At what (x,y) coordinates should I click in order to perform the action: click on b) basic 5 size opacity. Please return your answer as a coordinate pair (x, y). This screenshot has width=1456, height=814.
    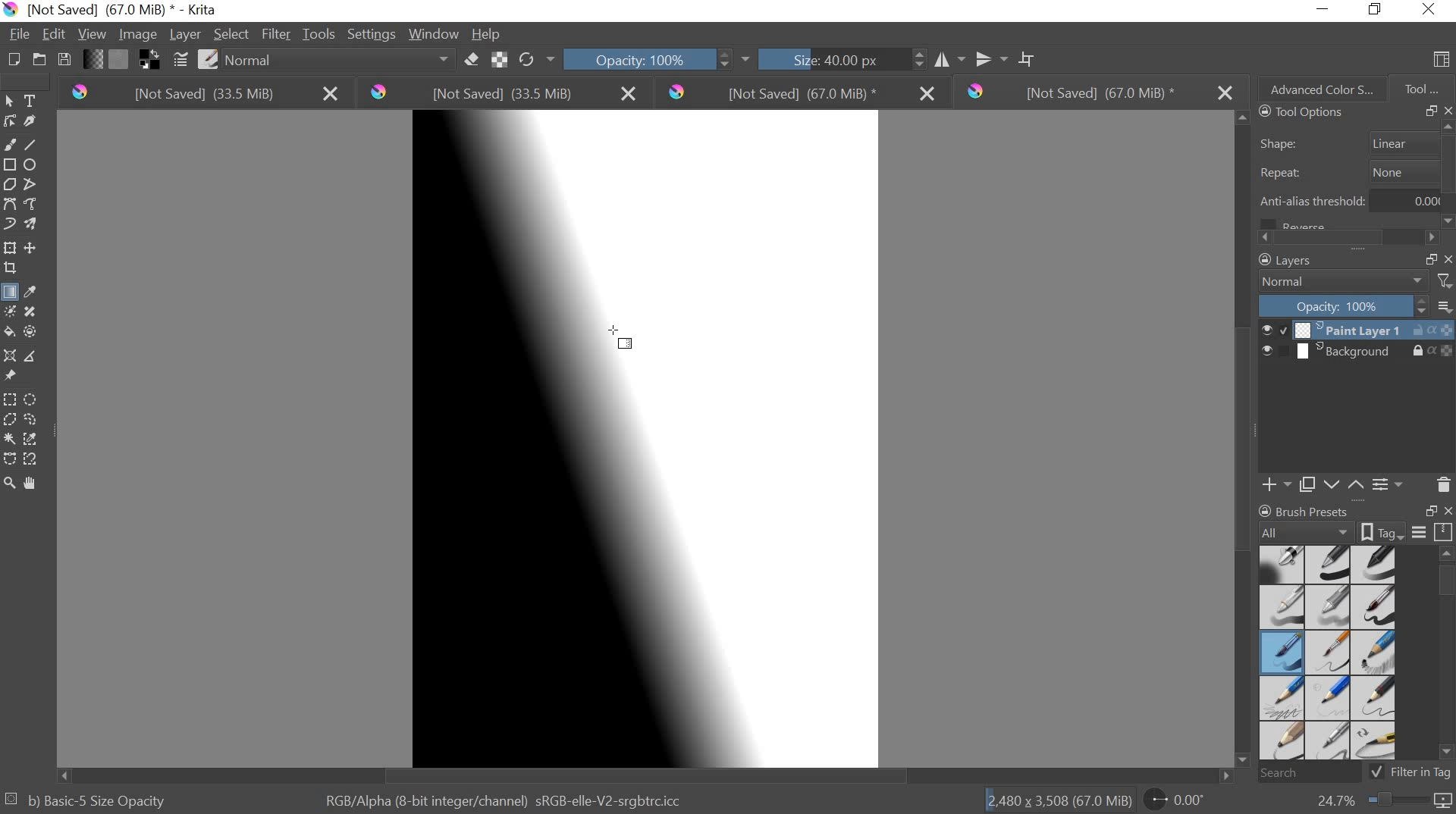
    Looking at the image, I should click on (92, 799).